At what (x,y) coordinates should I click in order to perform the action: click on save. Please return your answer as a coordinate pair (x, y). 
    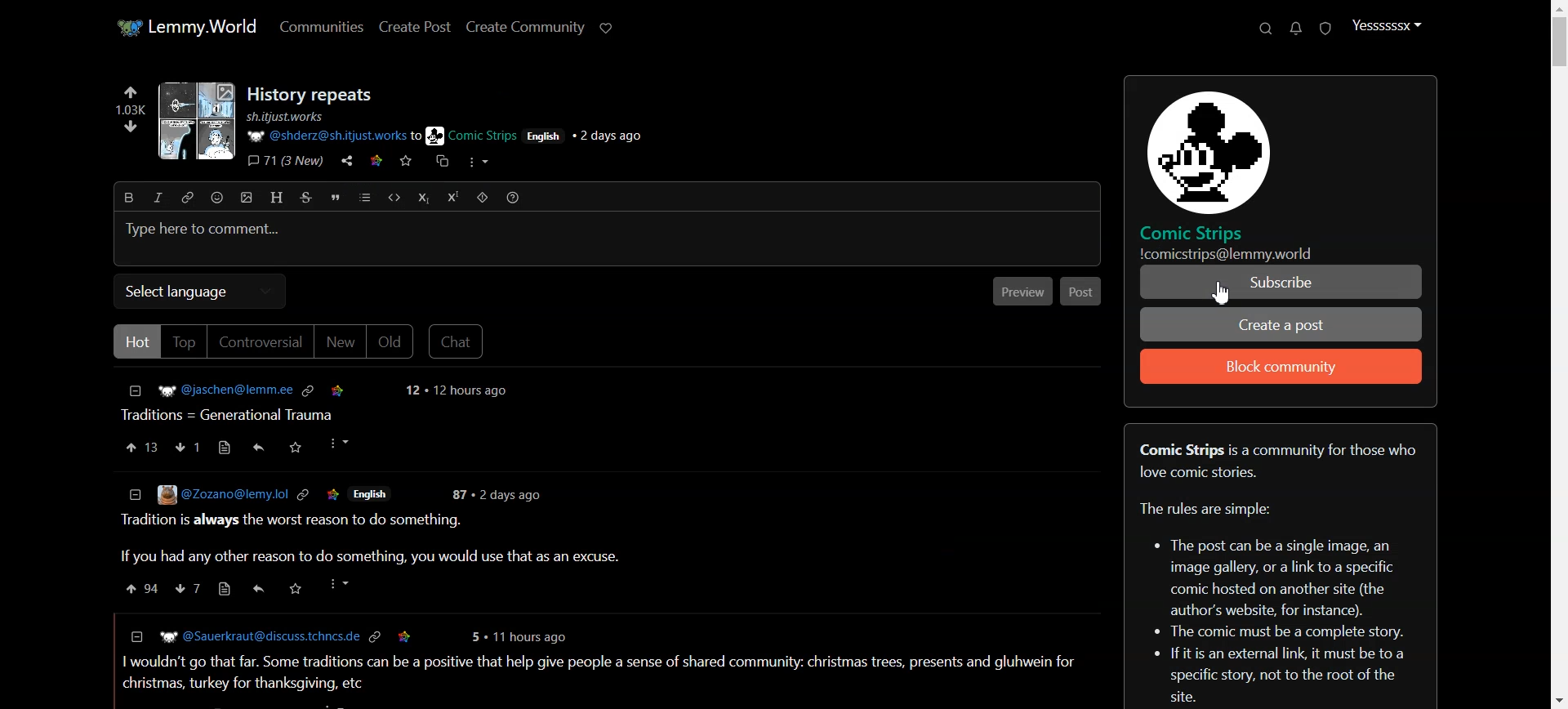
    Looking at the image, I should click on (405, 635).